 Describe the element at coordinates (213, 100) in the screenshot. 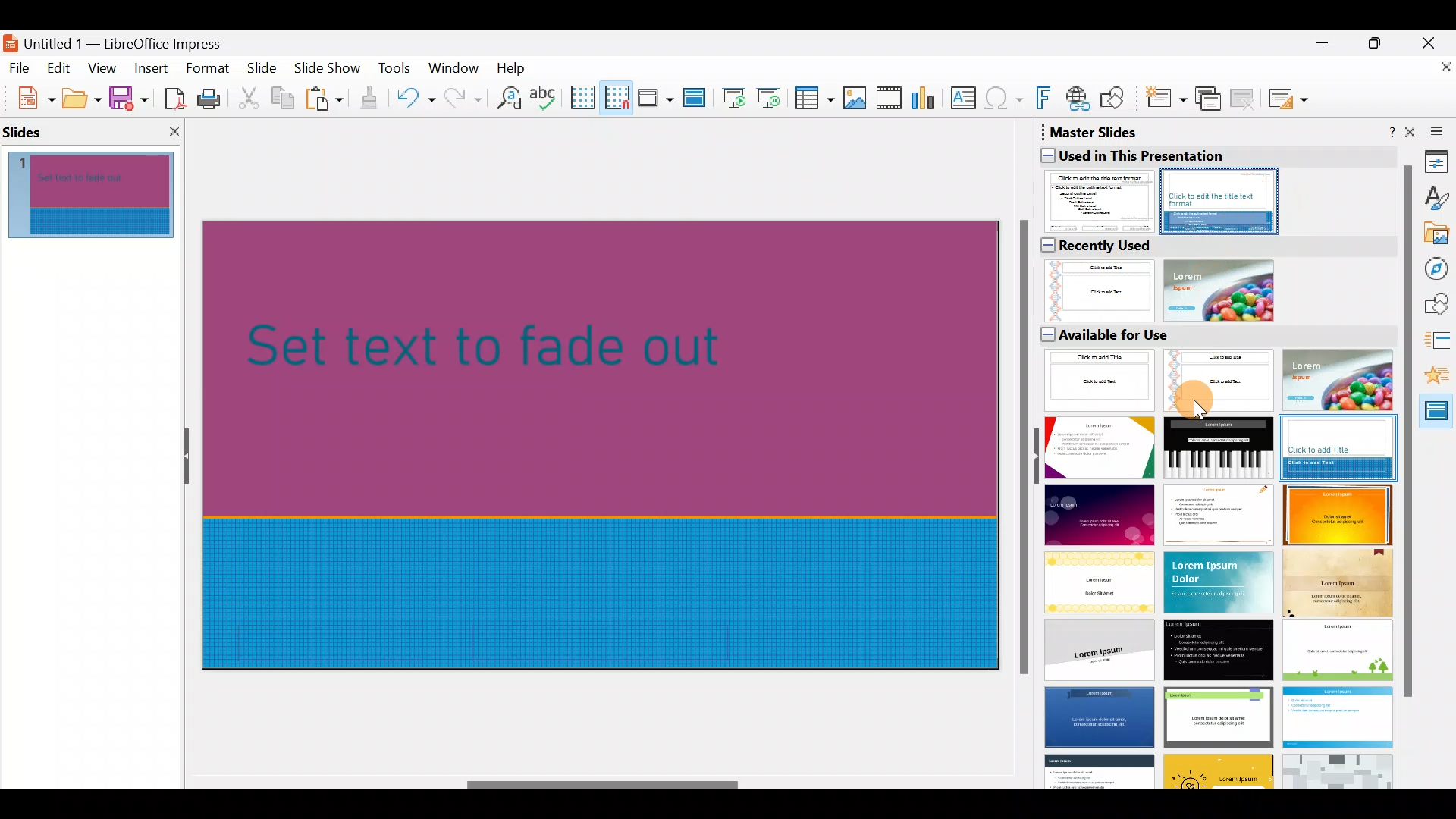

I see `Print` at that location.